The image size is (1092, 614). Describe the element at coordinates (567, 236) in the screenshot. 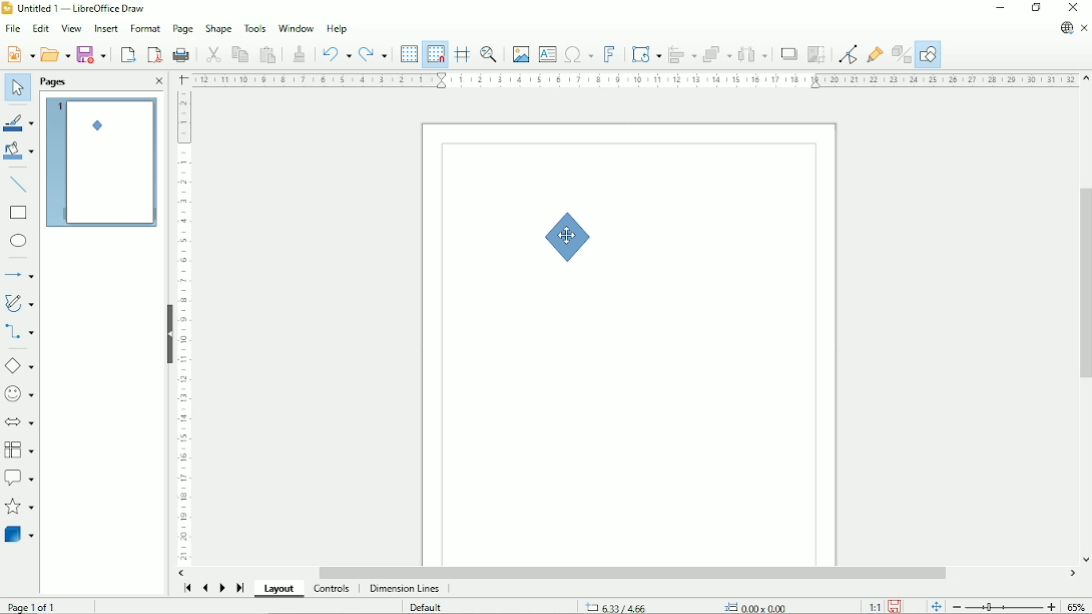

I see `Shape` at that location.